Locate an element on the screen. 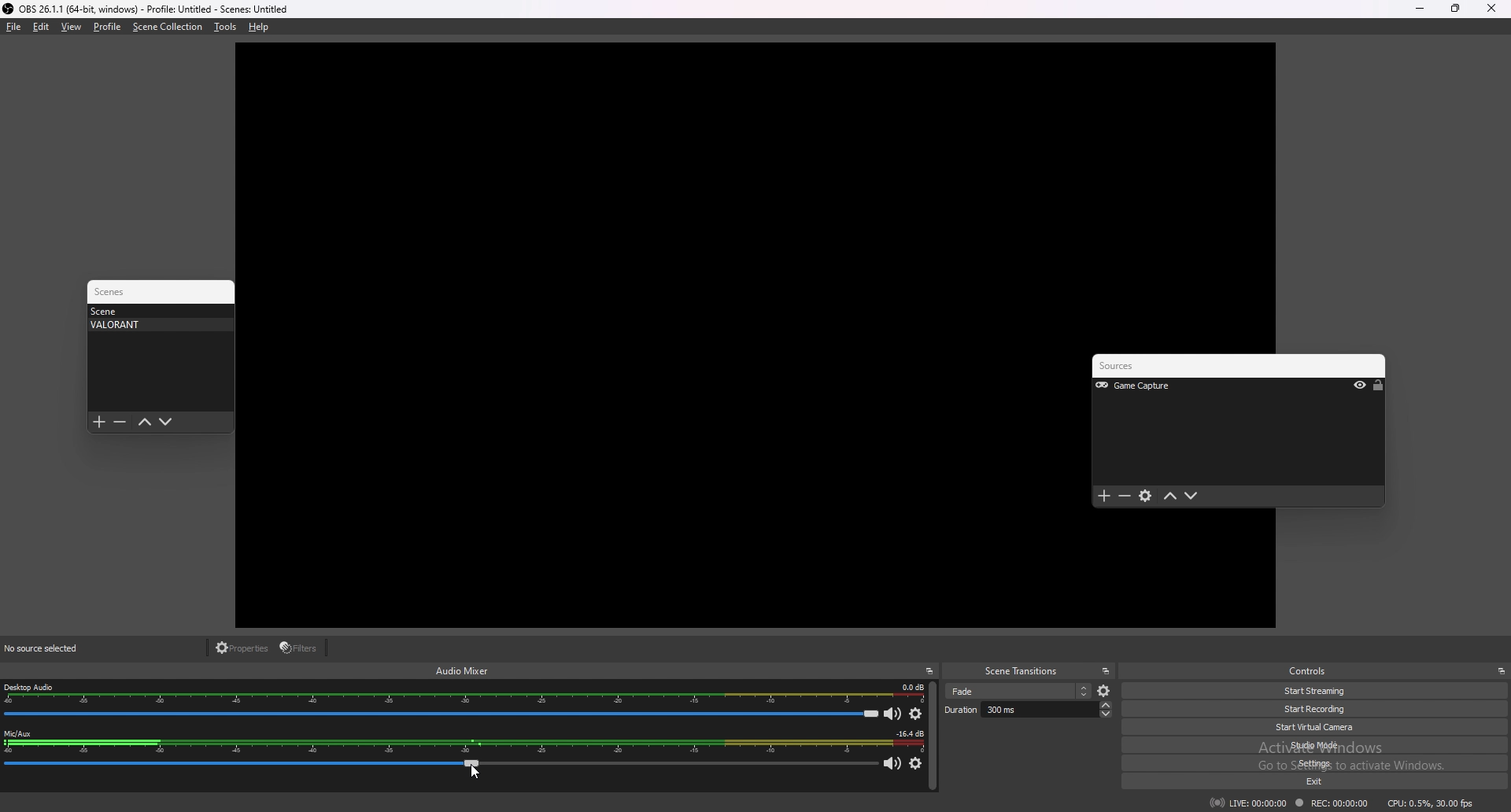 The height and width of the screenshot is (812, 1511). live 00:00:00 is located at coordinates (1248, 803).